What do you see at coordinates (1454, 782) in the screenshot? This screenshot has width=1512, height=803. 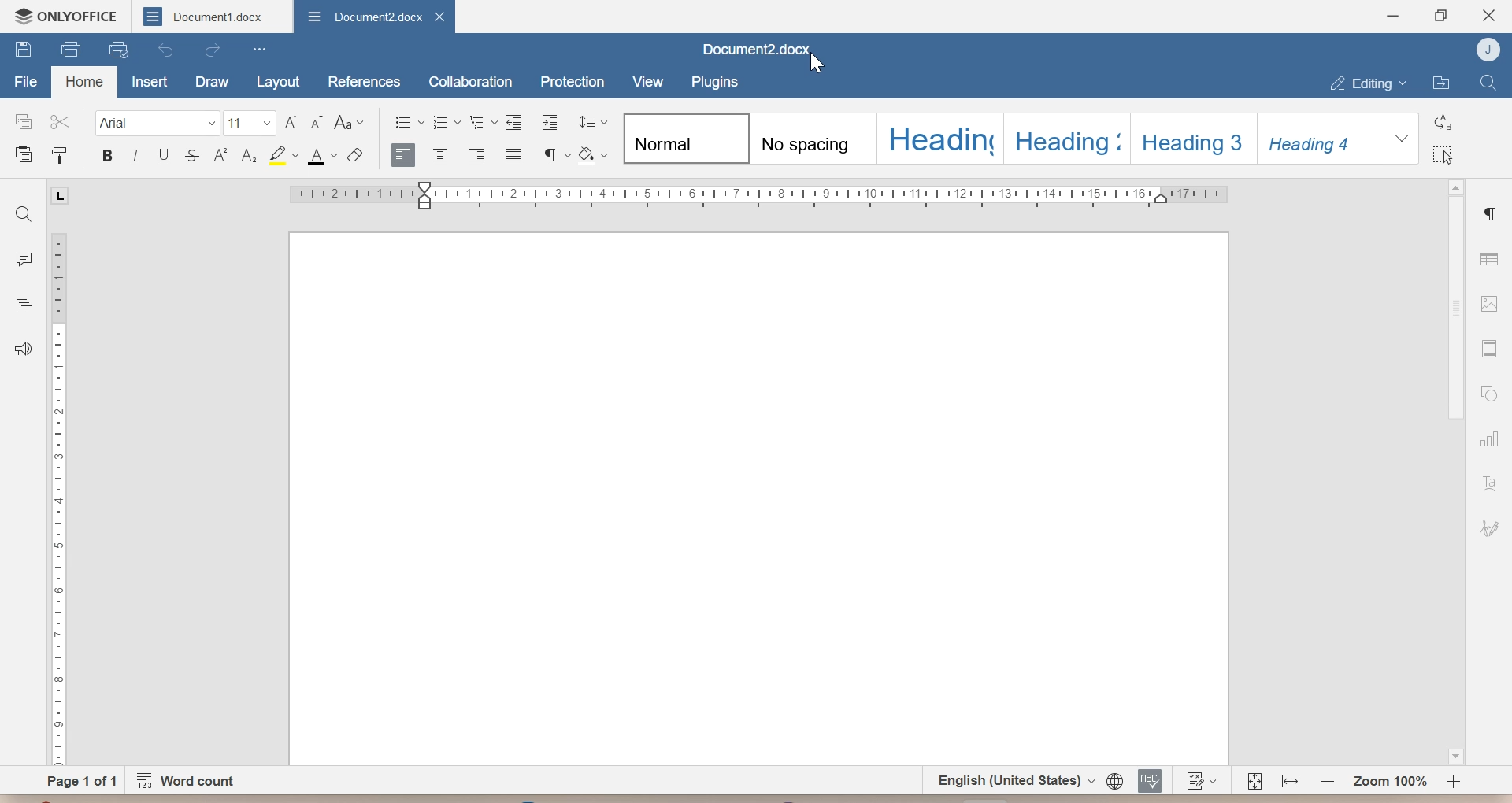 I see `Zoom in` at bounding box center [1454, 782].